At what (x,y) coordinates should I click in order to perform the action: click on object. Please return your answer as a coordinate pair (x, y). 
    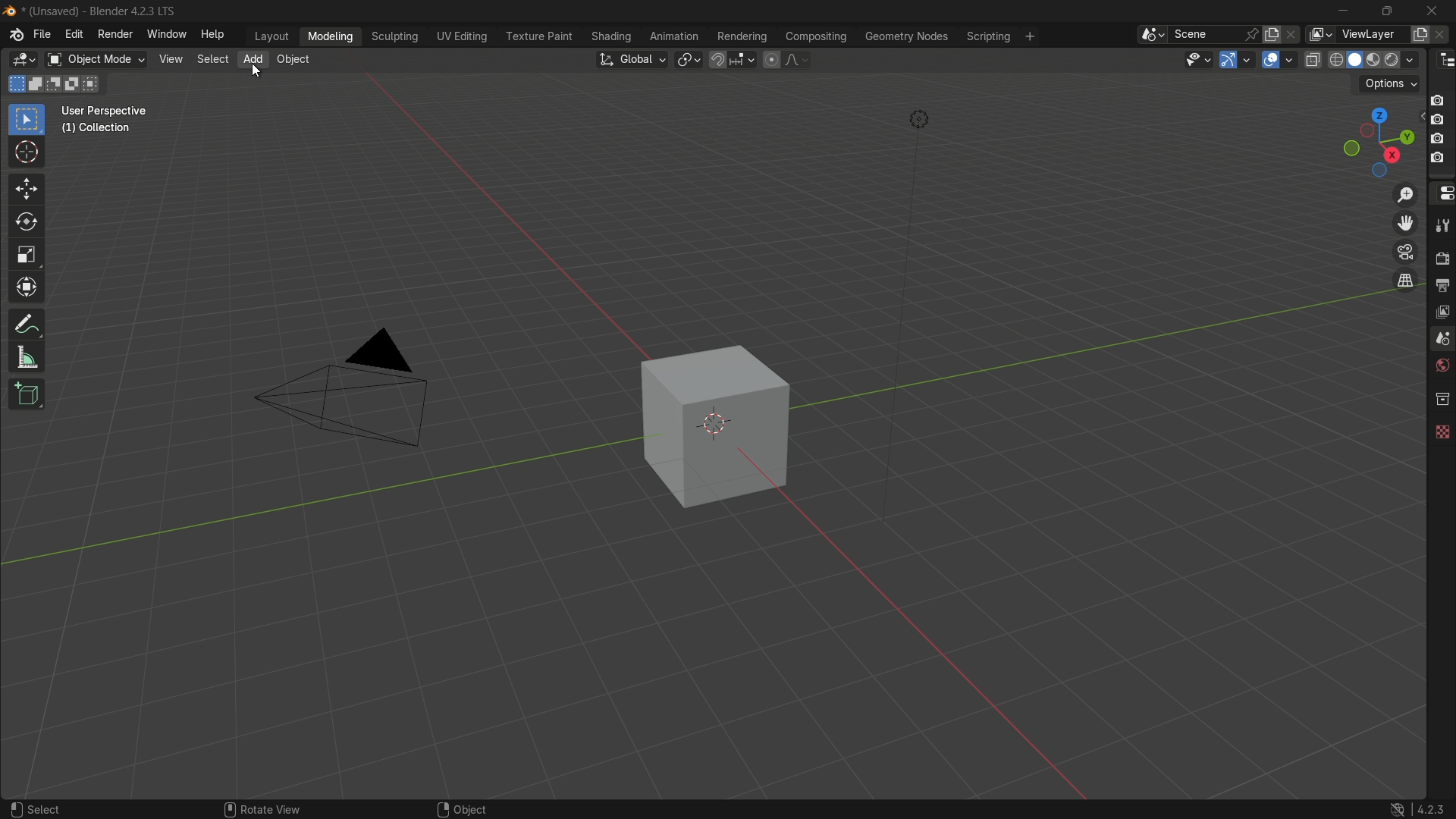
    Looking at the image, I should click on (460, 809).